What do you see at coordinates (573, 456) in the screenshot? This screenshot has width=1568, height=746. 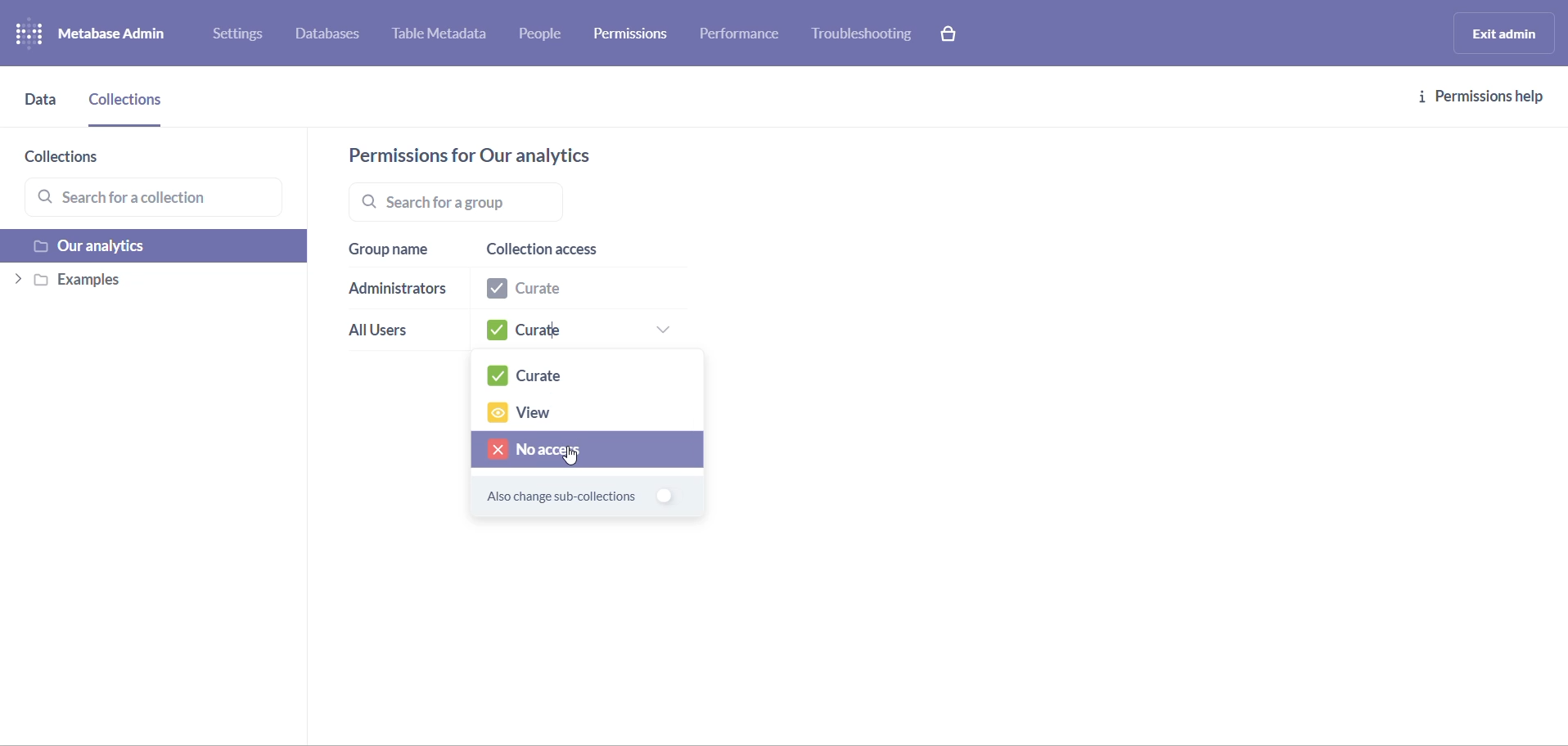 I see `cursor` at bounding box center [573, 456].